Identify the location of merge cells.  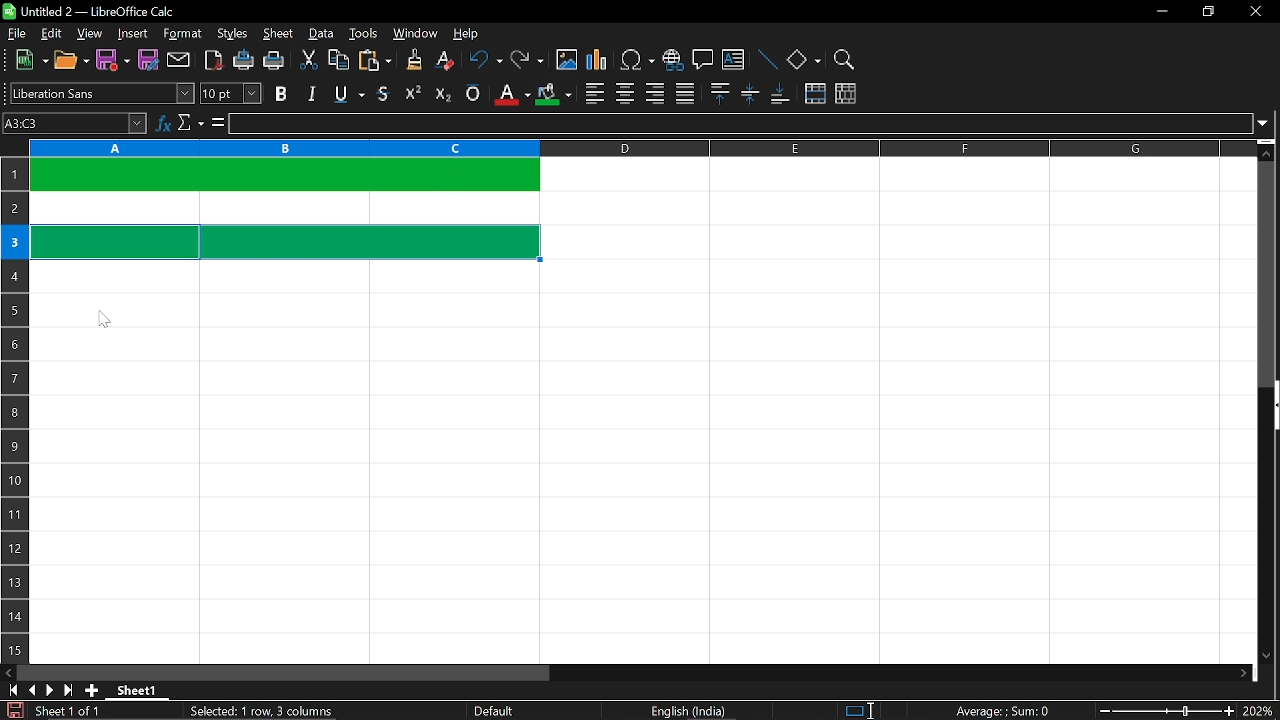
(815, 94).